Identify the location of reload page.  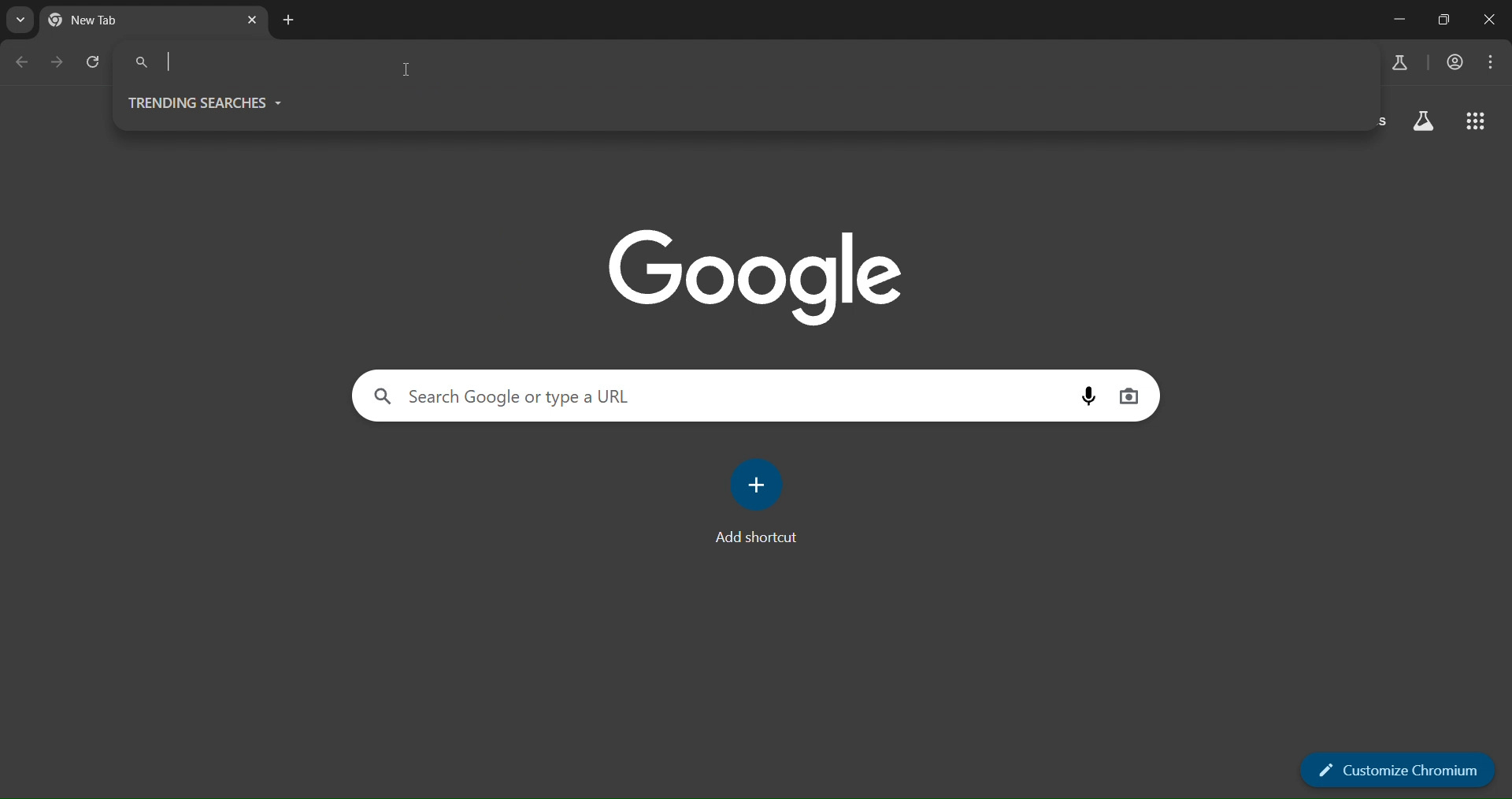
(94, 64).